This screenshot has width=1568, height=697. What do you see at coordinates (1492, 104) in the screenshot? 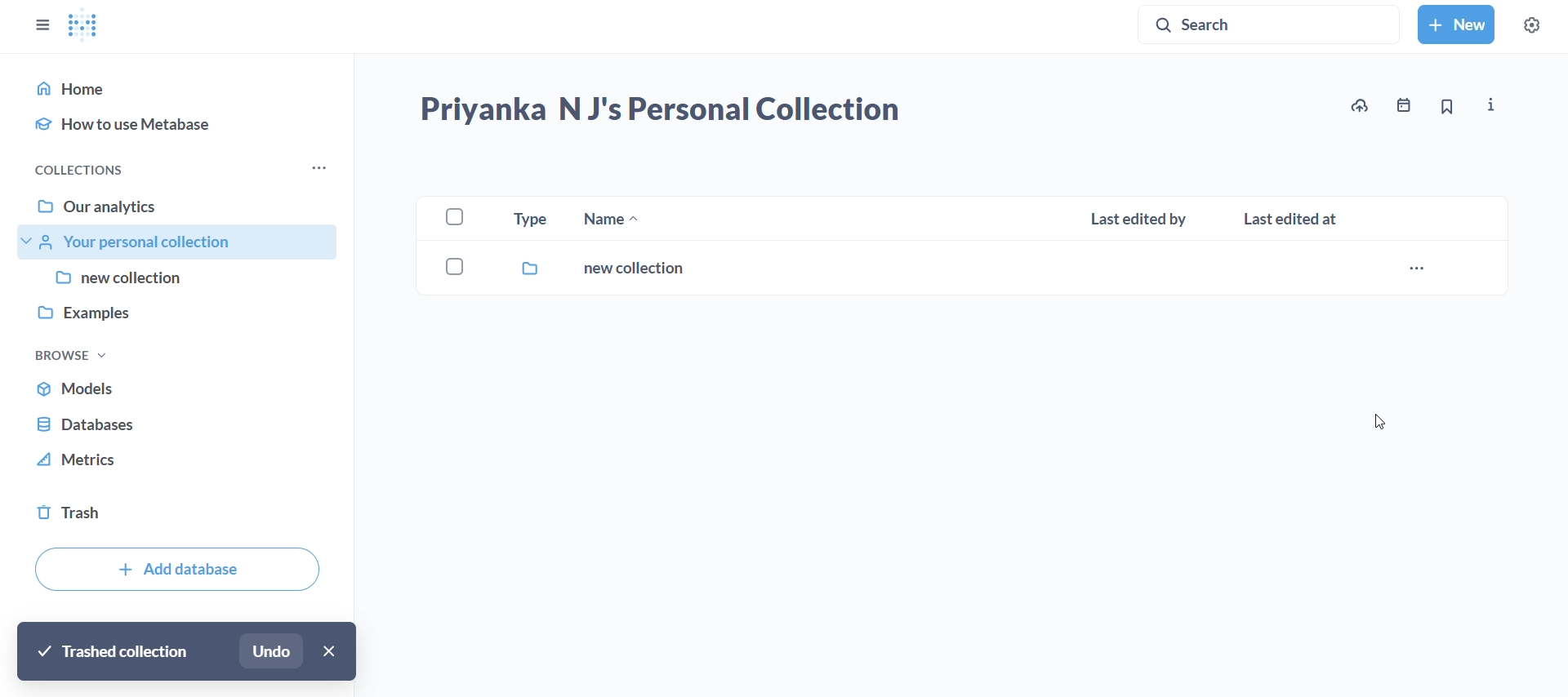
I see `more info` at bounding box center [1492, 104].